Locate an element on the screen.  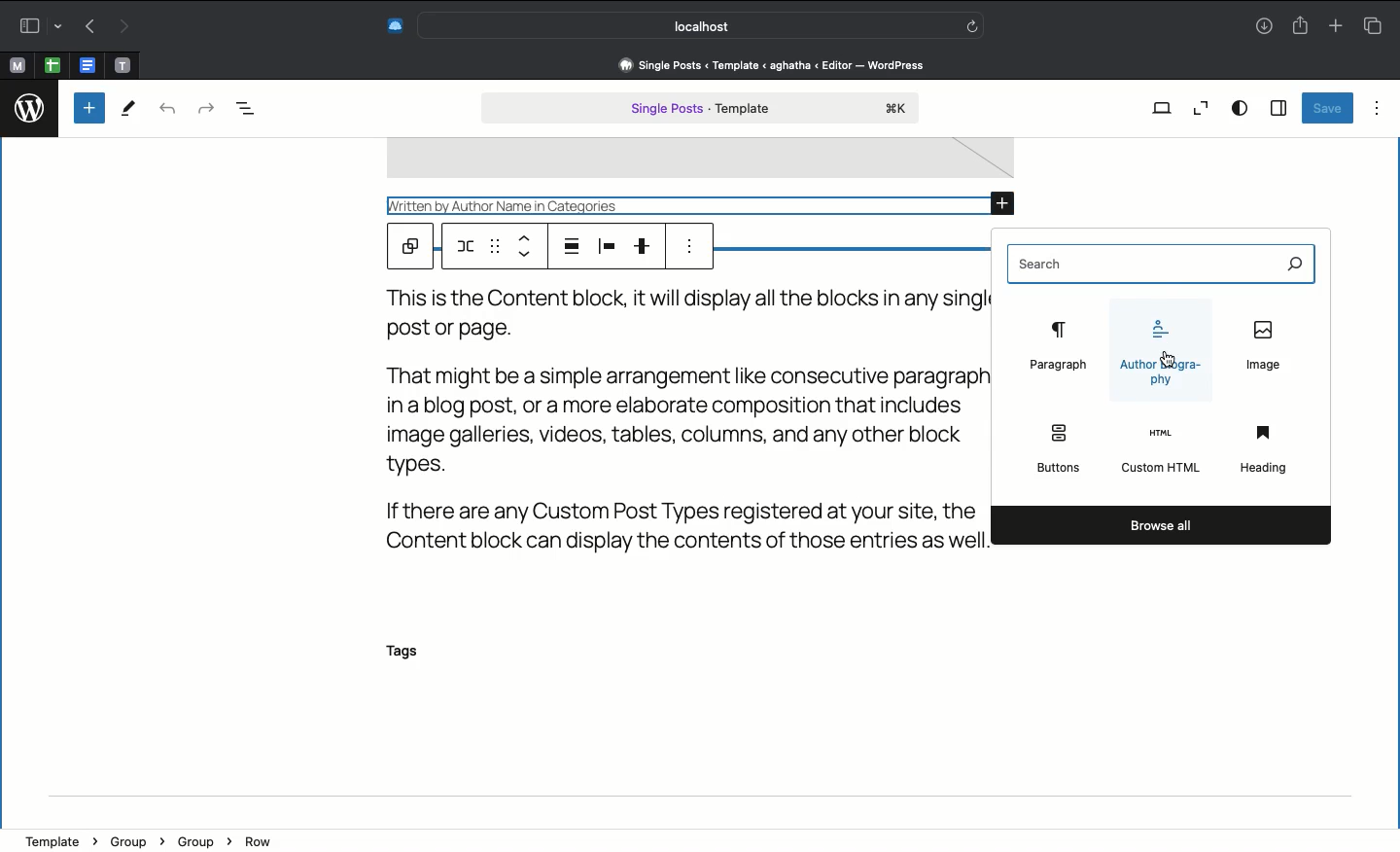
Buttons is located at coordinates (1063, 455).